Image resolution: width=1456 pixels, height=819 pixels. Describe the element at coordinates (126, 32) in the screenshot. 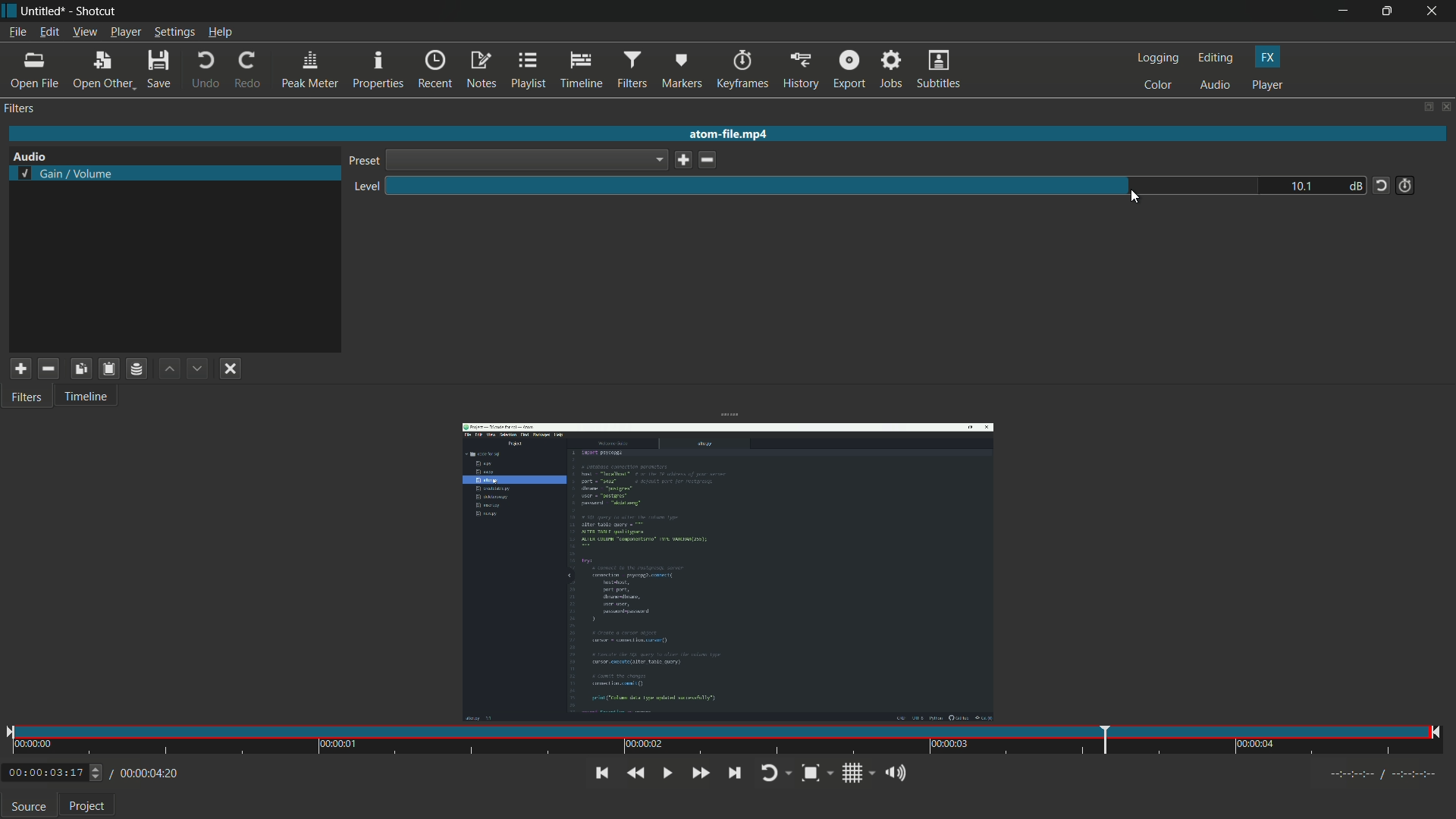

I see `player menu` at that location.